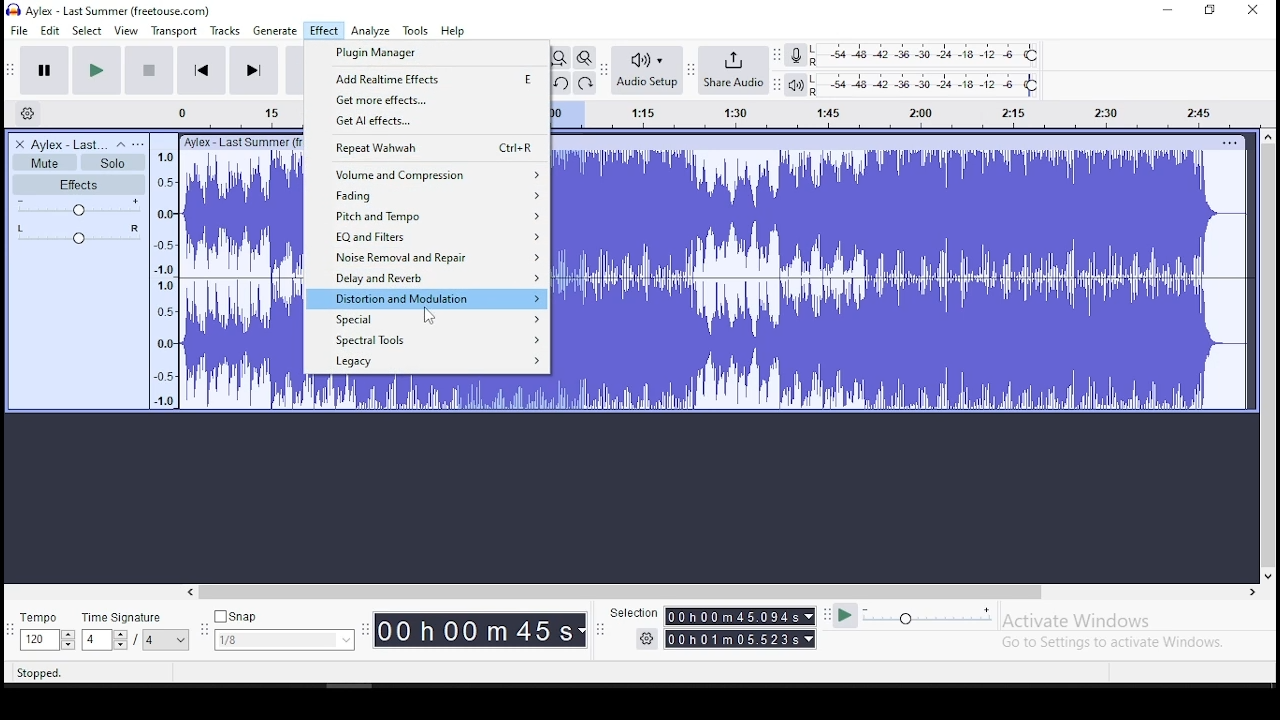 This screenshot has width=1280, height=720. Describe the element at coordinates (88, 31) in the screenshot. I see `select` at that location.